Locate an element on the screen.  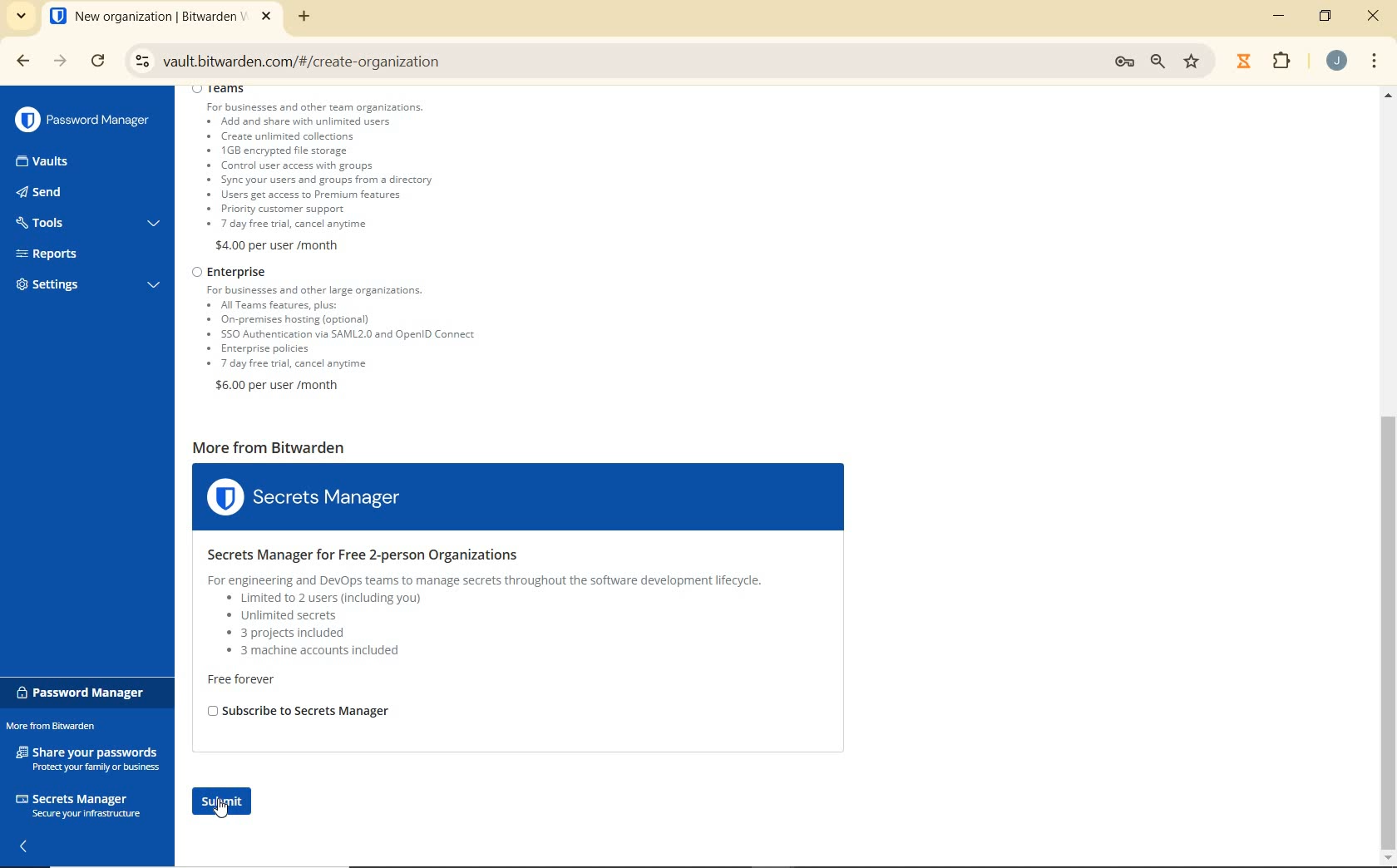
MENU is located at coordinates (1375, 58).